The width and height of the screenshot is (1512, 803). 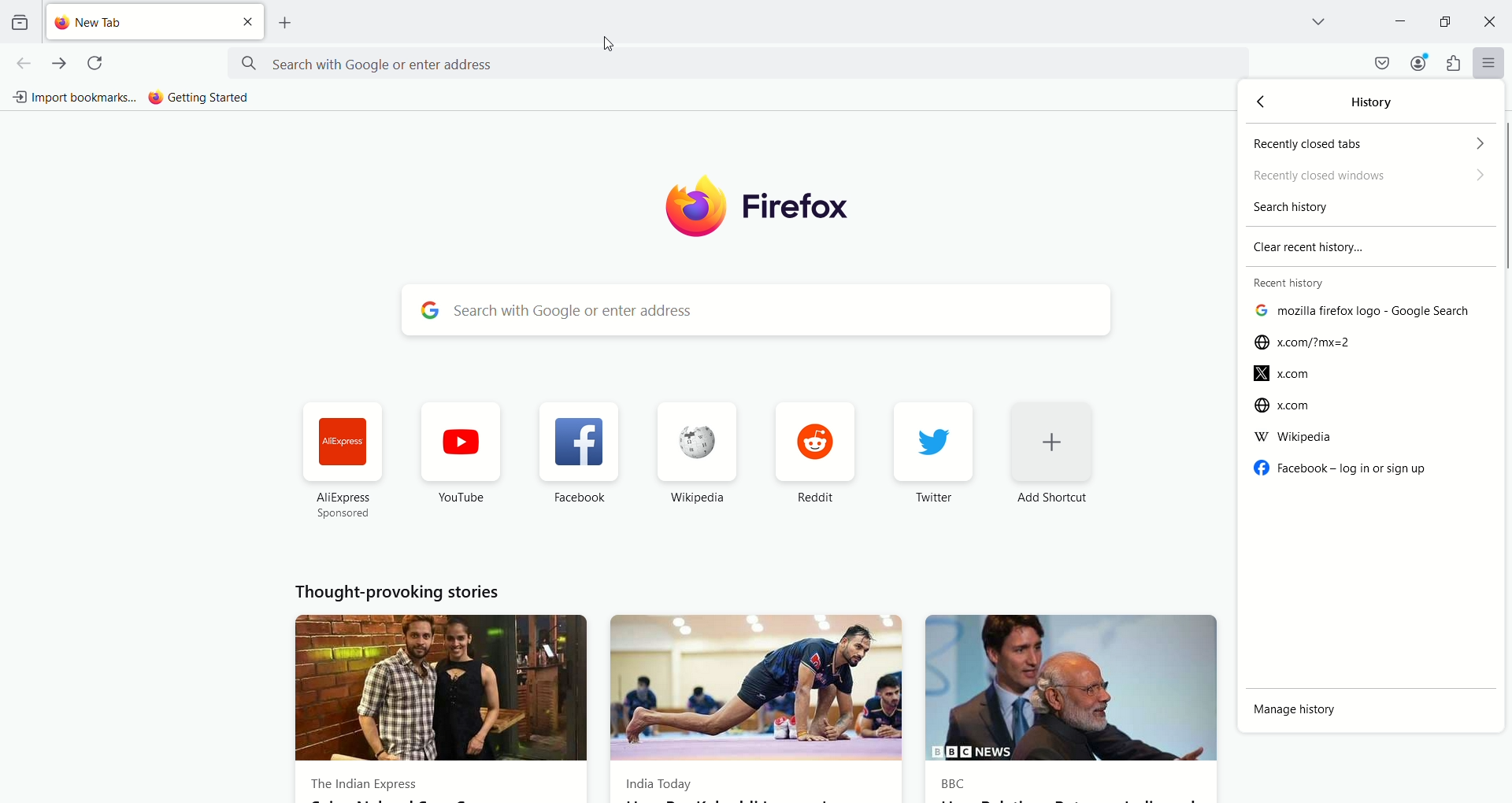 What do you see at coordinates (204, 95) in the screenshot?
I see `getting started` at bounding box center [204, 95].